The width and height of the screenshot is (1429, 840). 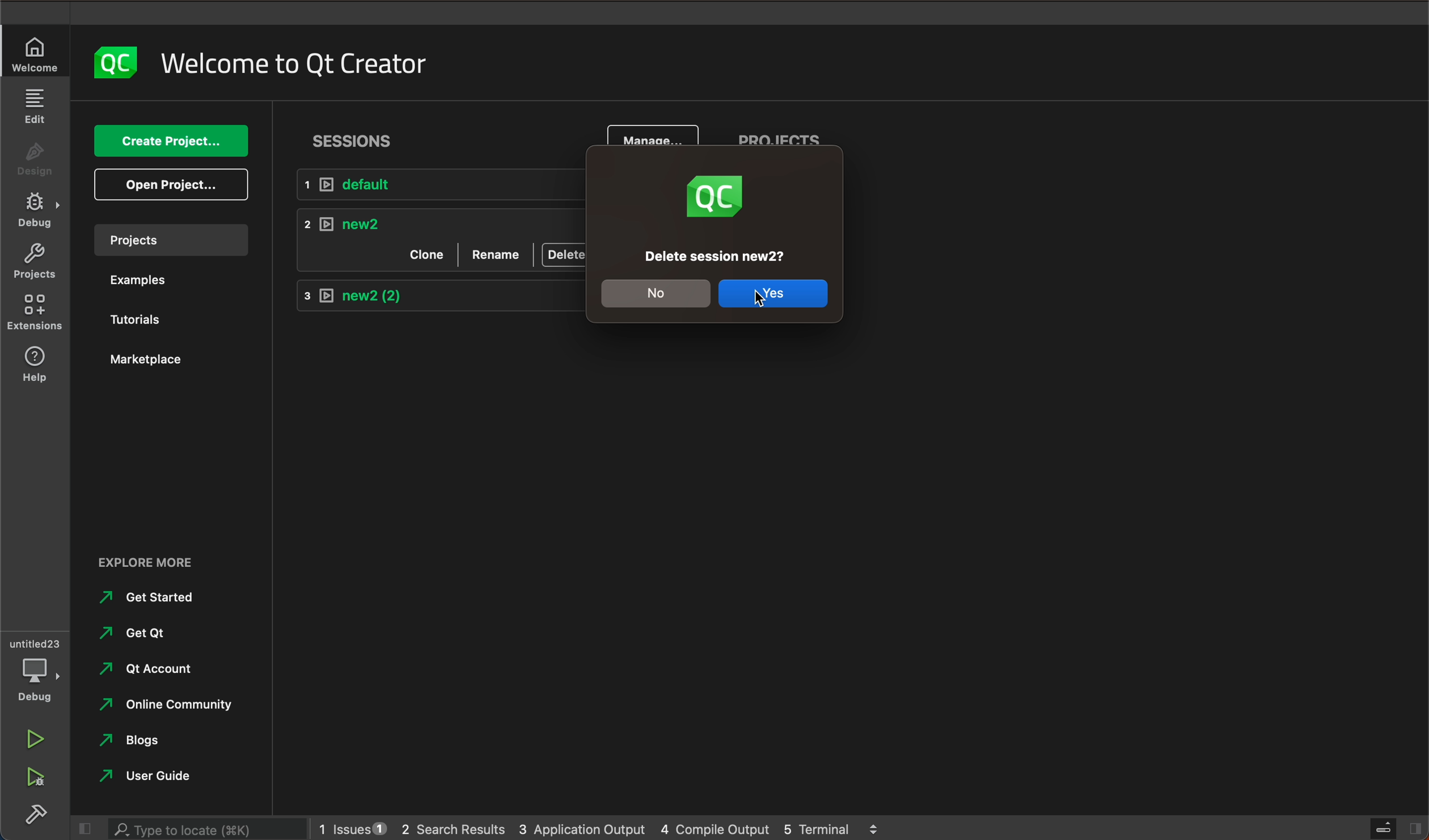 I want to click on delete, so click(x=562, y=254).